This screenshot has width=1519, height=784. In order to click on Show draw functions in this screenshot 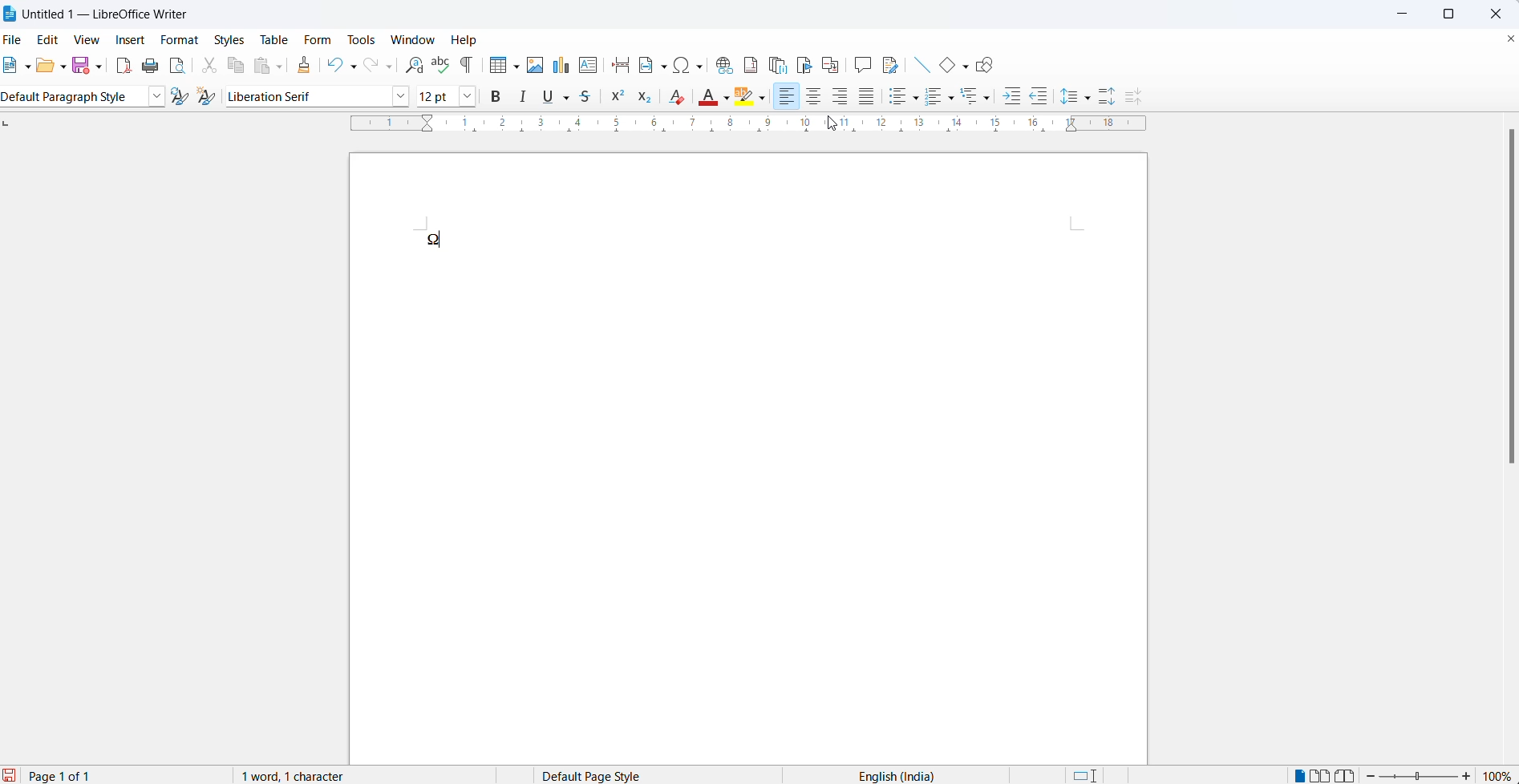, I will do `click(990, 66)`.